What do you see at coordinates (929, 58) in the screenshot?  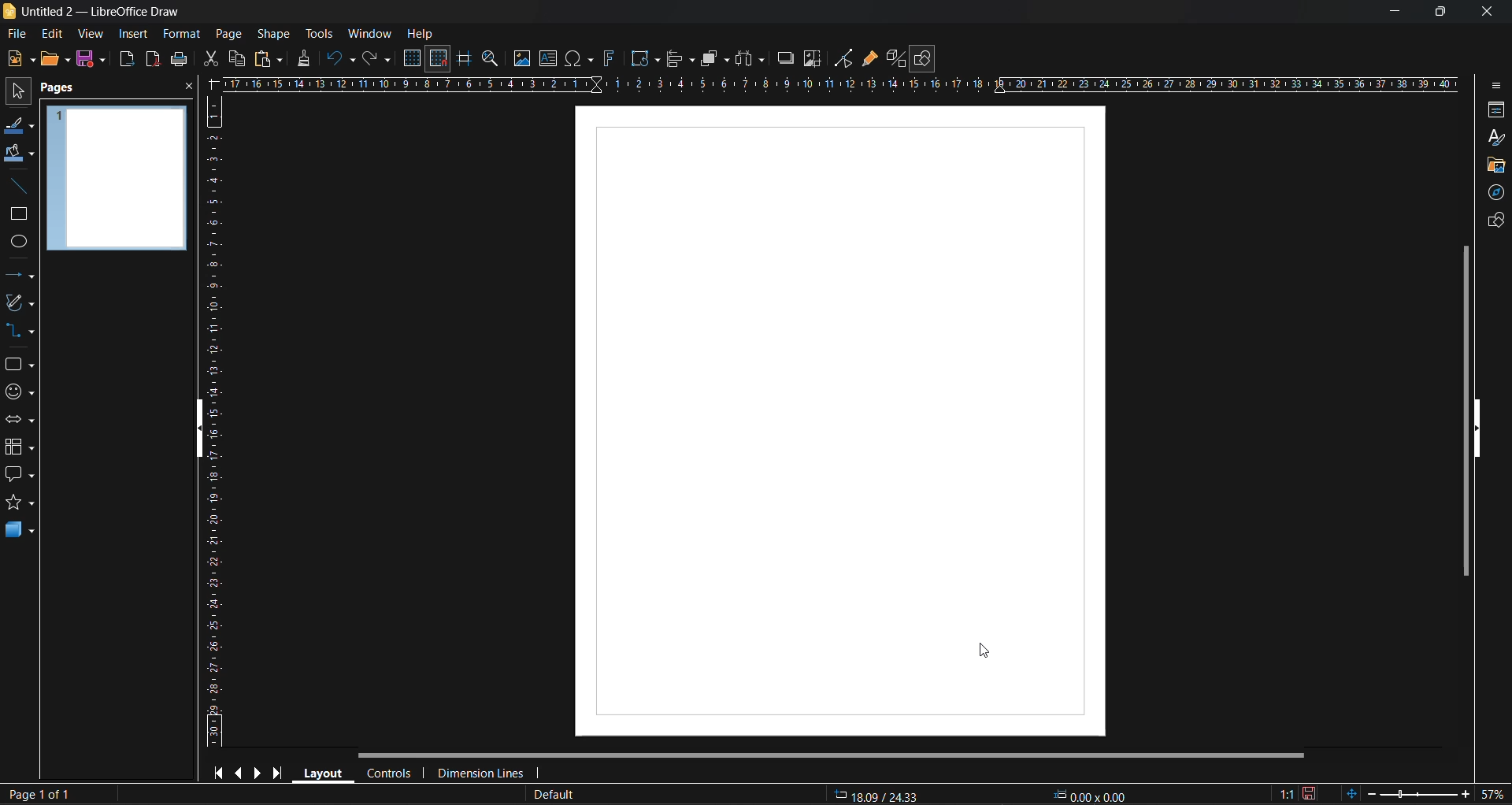 I see `show draw functions` at bounding box center [929, 58].